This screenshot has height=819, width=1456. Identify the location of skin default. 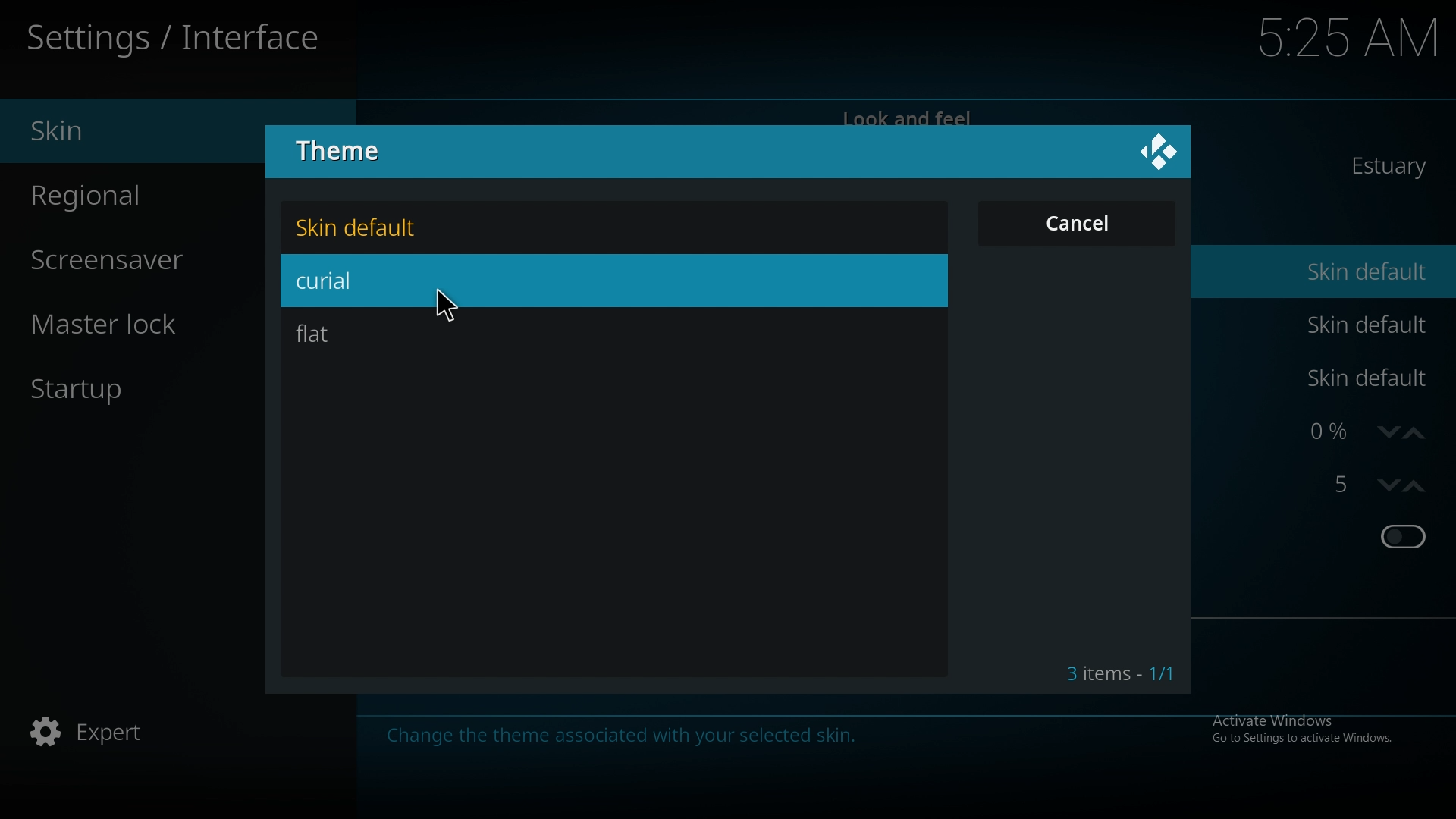
(1363, 325).